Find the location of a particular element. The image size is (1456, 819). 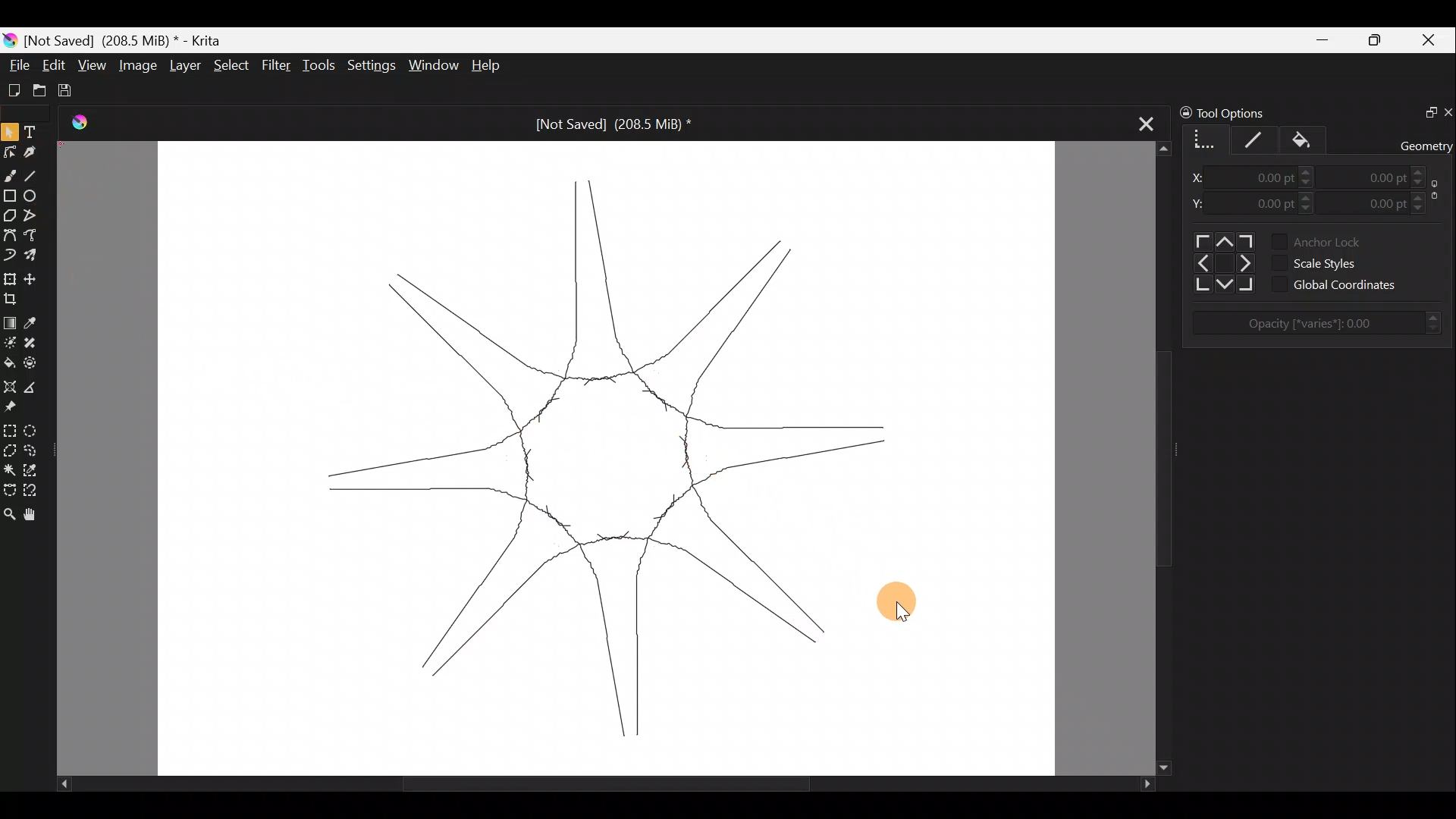

Polygonal selection tool is located at coordinates (10, 450).